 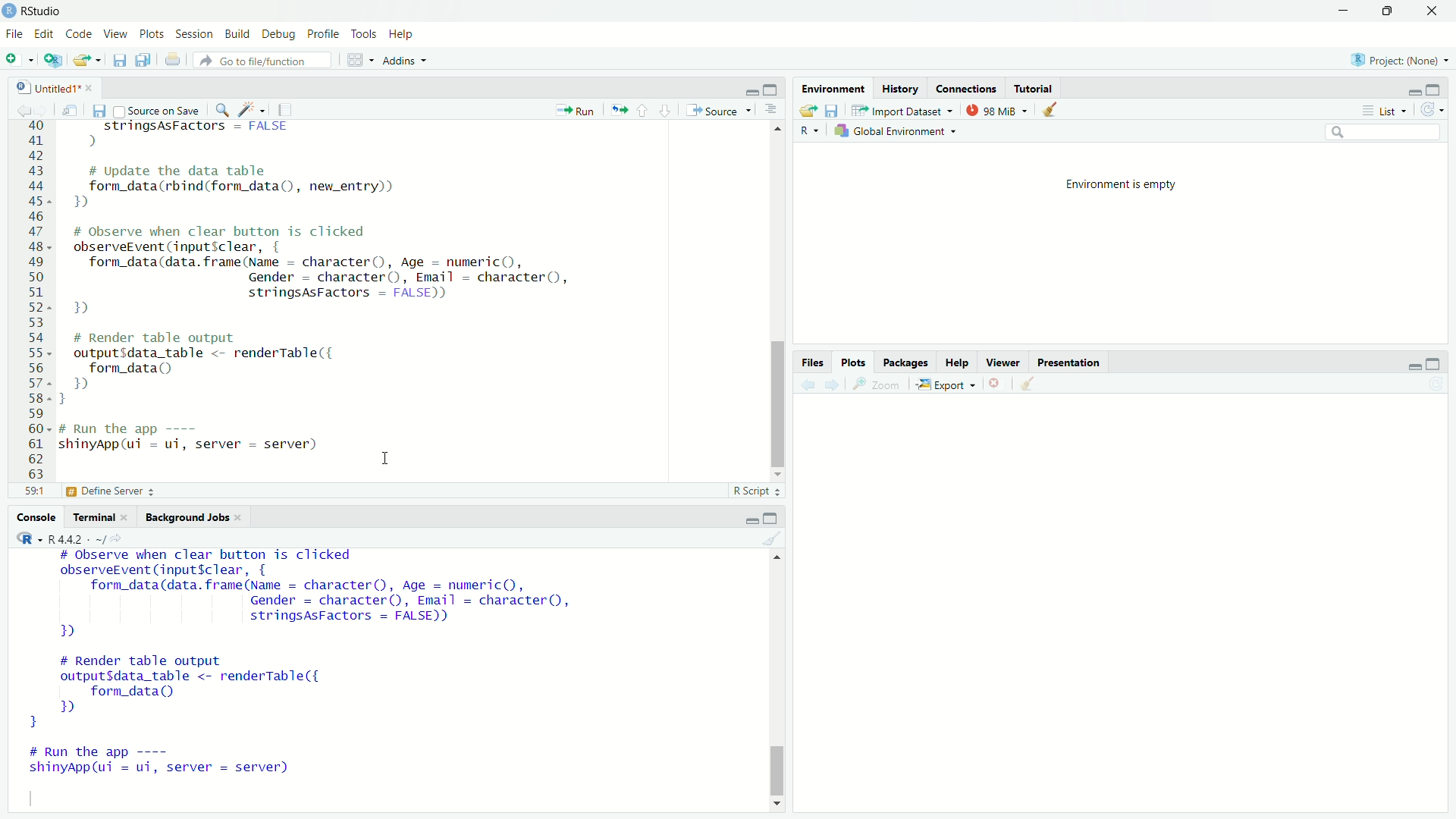 What do you see at coordinates (45, 32) in the screenshot?
I see `Edit` at bounding box center [45, 32].